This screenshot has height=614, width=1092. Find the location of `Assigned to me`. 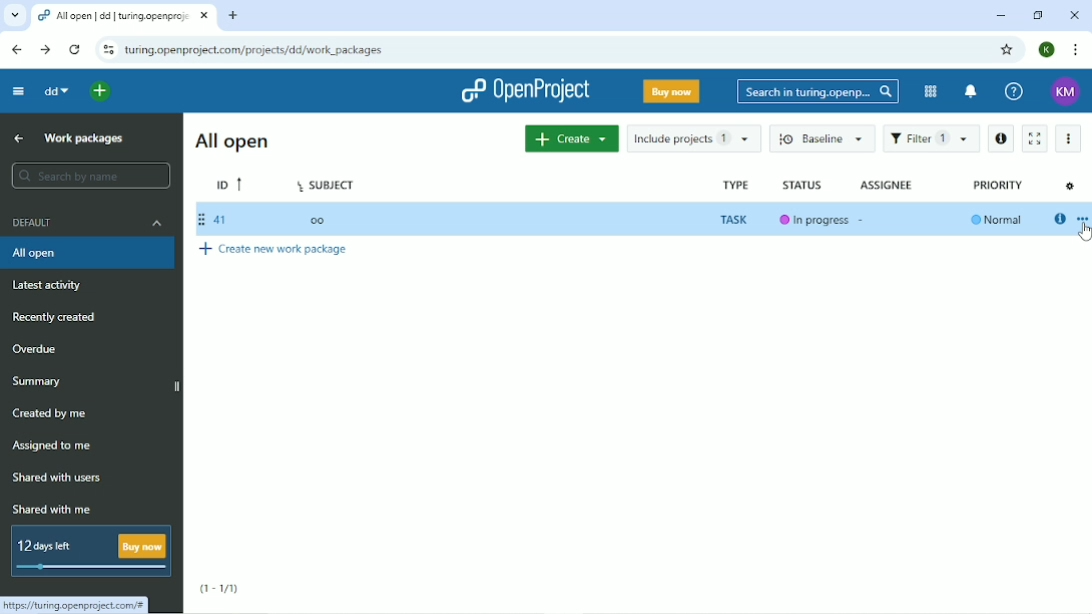

Assigned to me is located at coordinates (51, 446).